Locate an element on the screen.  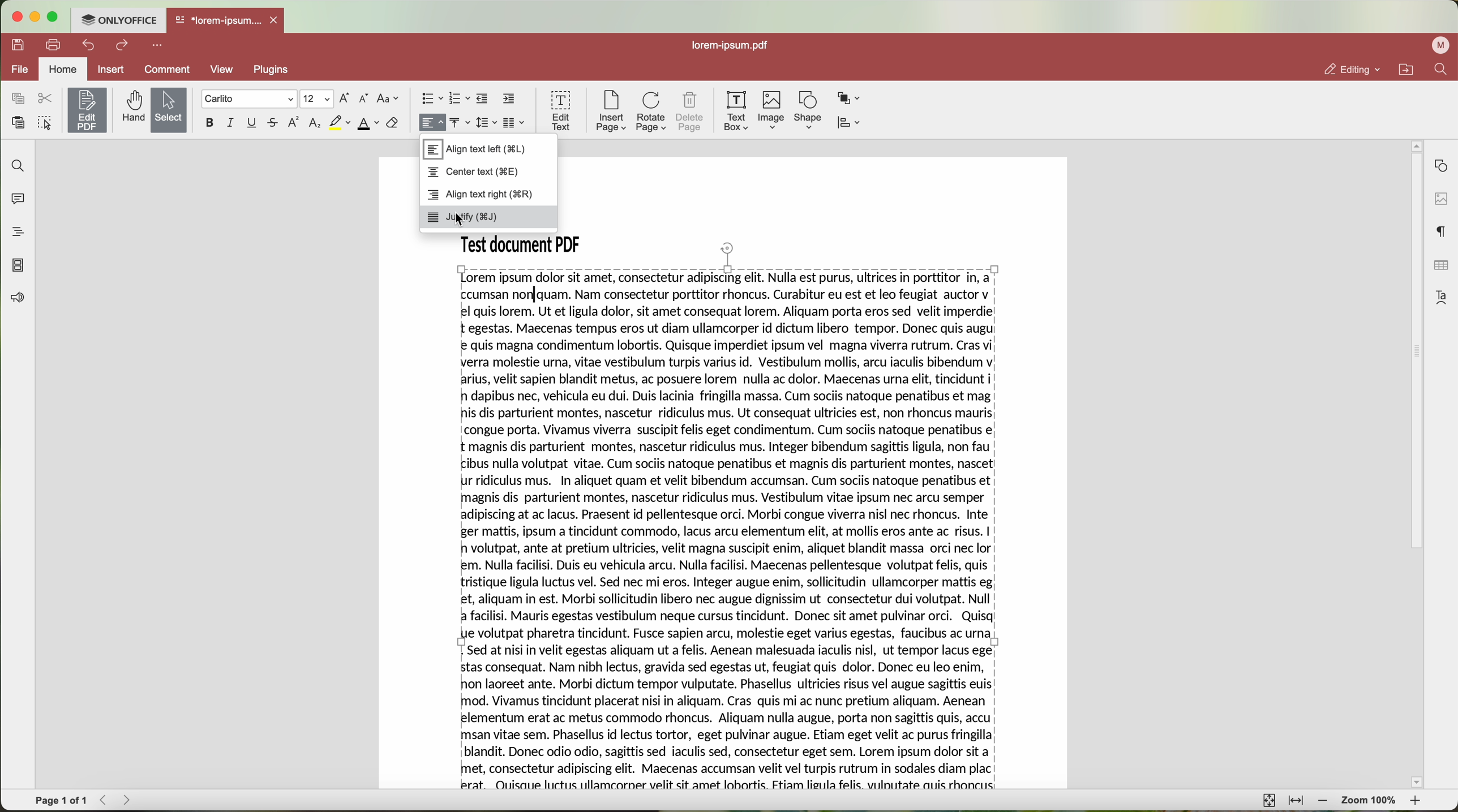
ONLYOFFICE is located at coordinates (120, 21).